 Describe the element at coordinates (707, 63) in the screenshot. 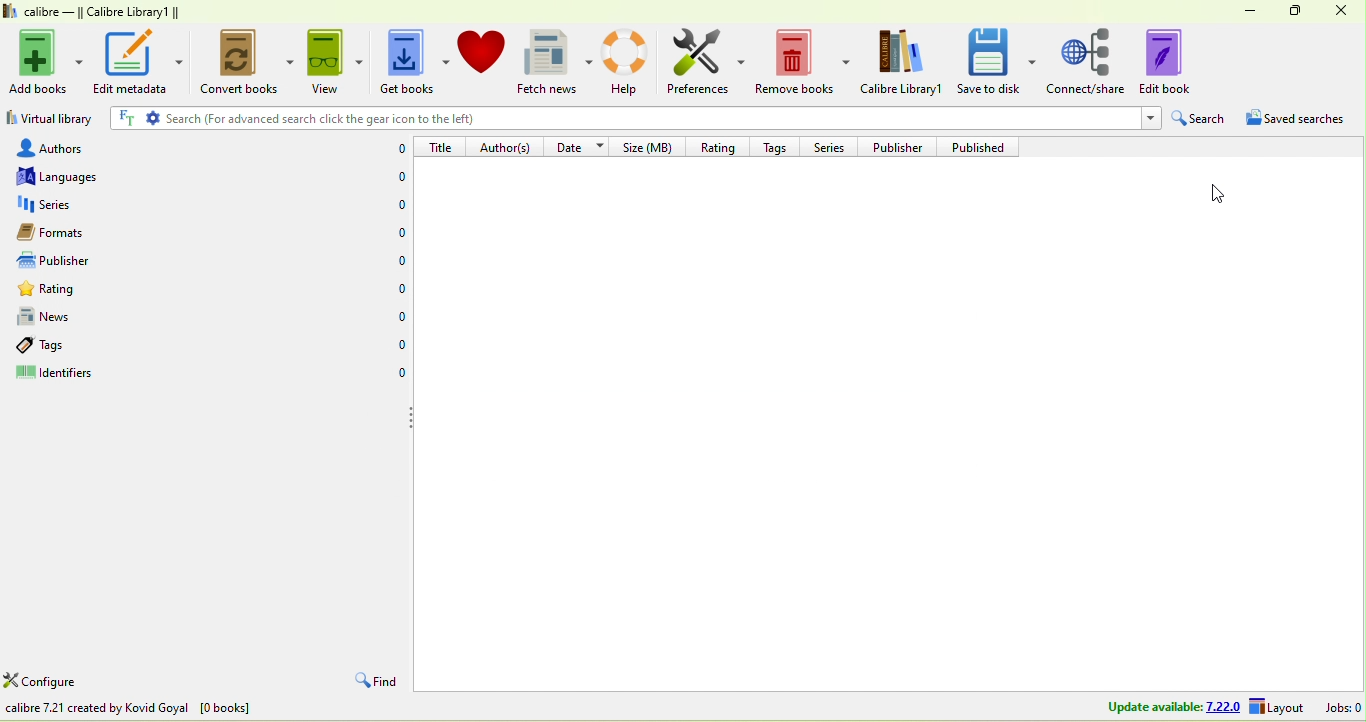

I see `preference` at that location.